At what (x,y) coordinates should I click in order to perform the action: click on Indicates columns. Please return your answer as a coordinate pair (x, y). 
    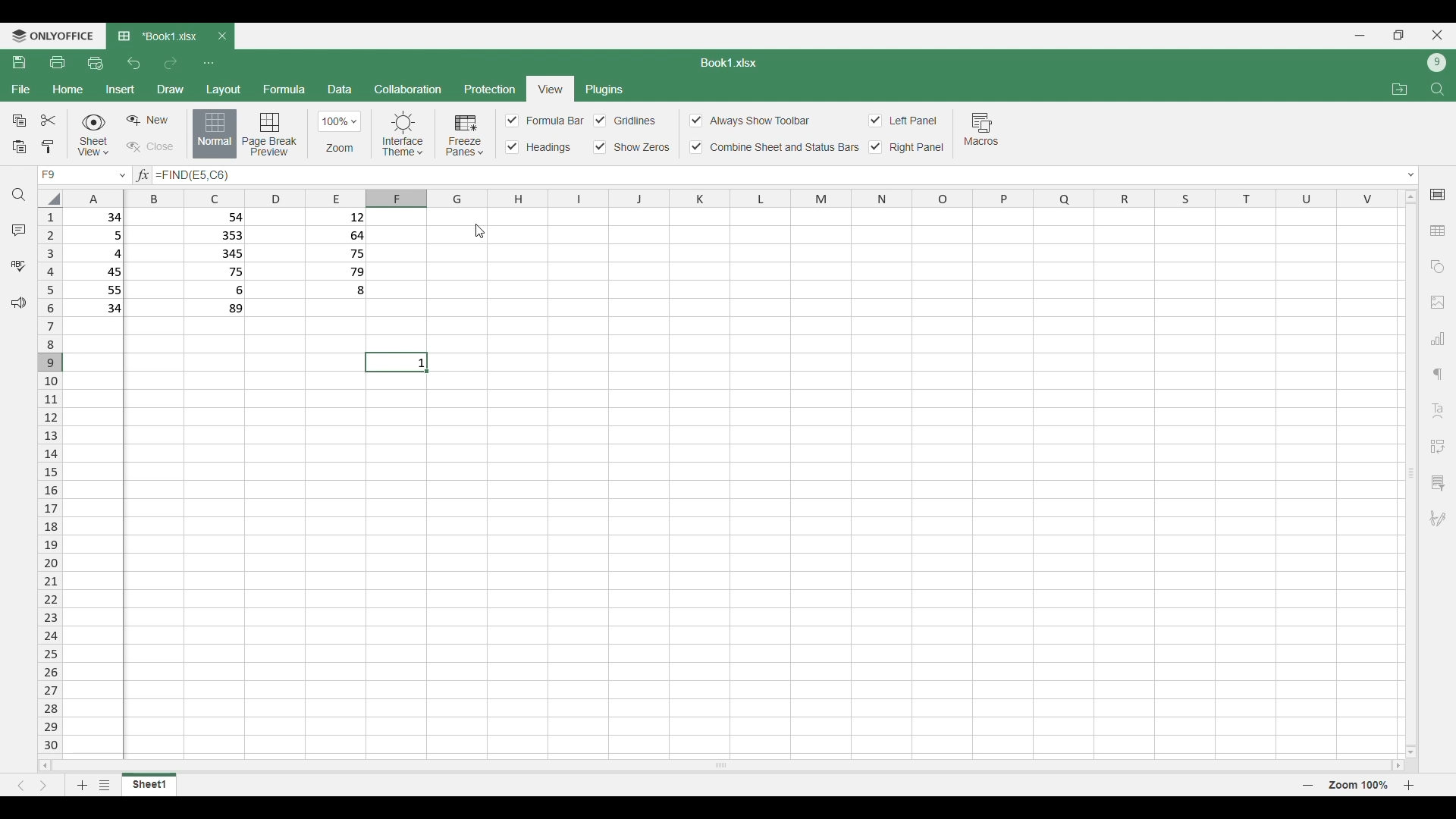
    Looking at the image, I should click on (736, 199).